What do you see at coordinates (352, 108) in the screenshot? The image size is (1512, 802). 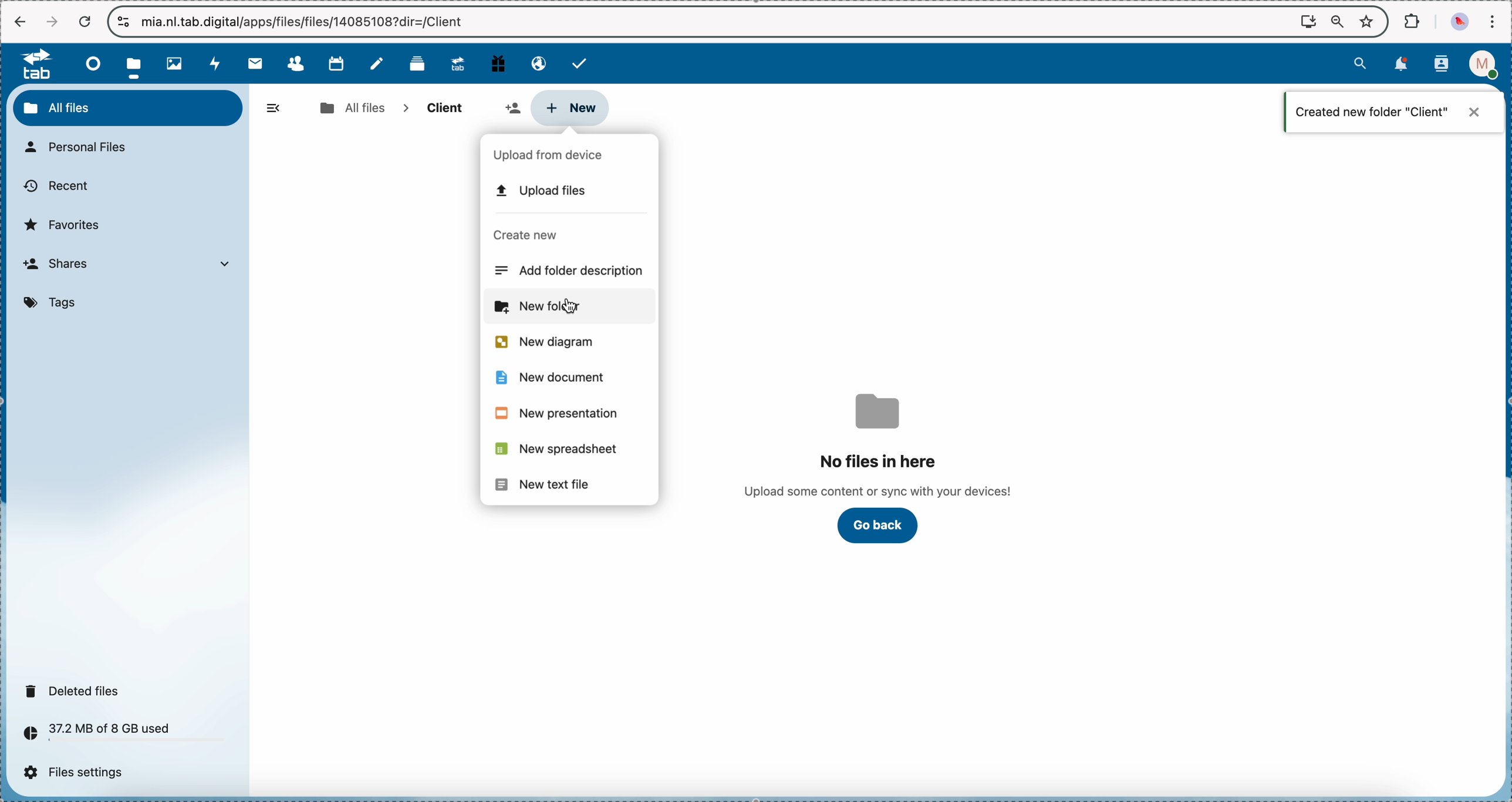 I see `all files` at bounding box center [352, 108].